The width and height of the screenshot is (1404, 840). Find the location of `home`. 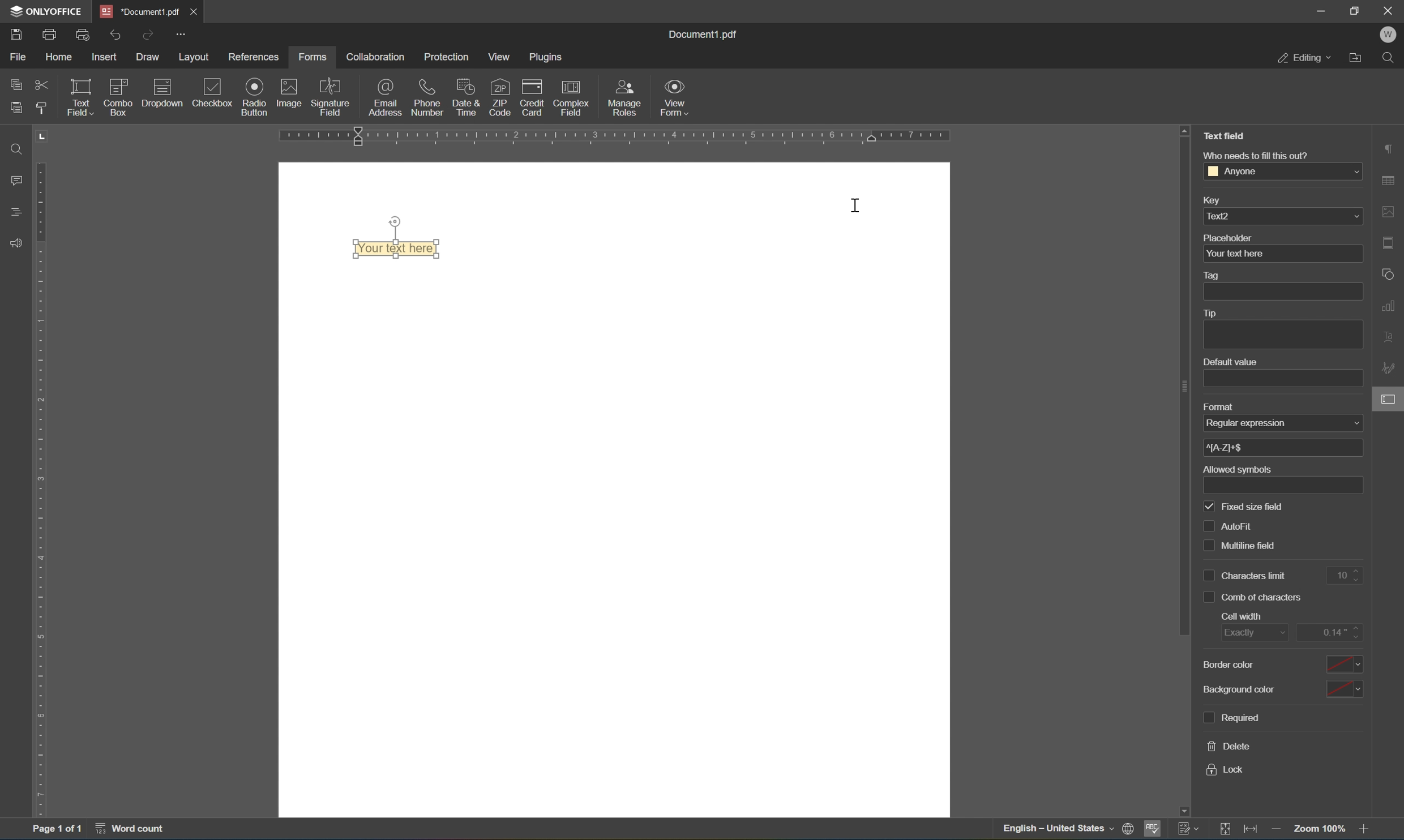

home is located at coordinates (60, 55).